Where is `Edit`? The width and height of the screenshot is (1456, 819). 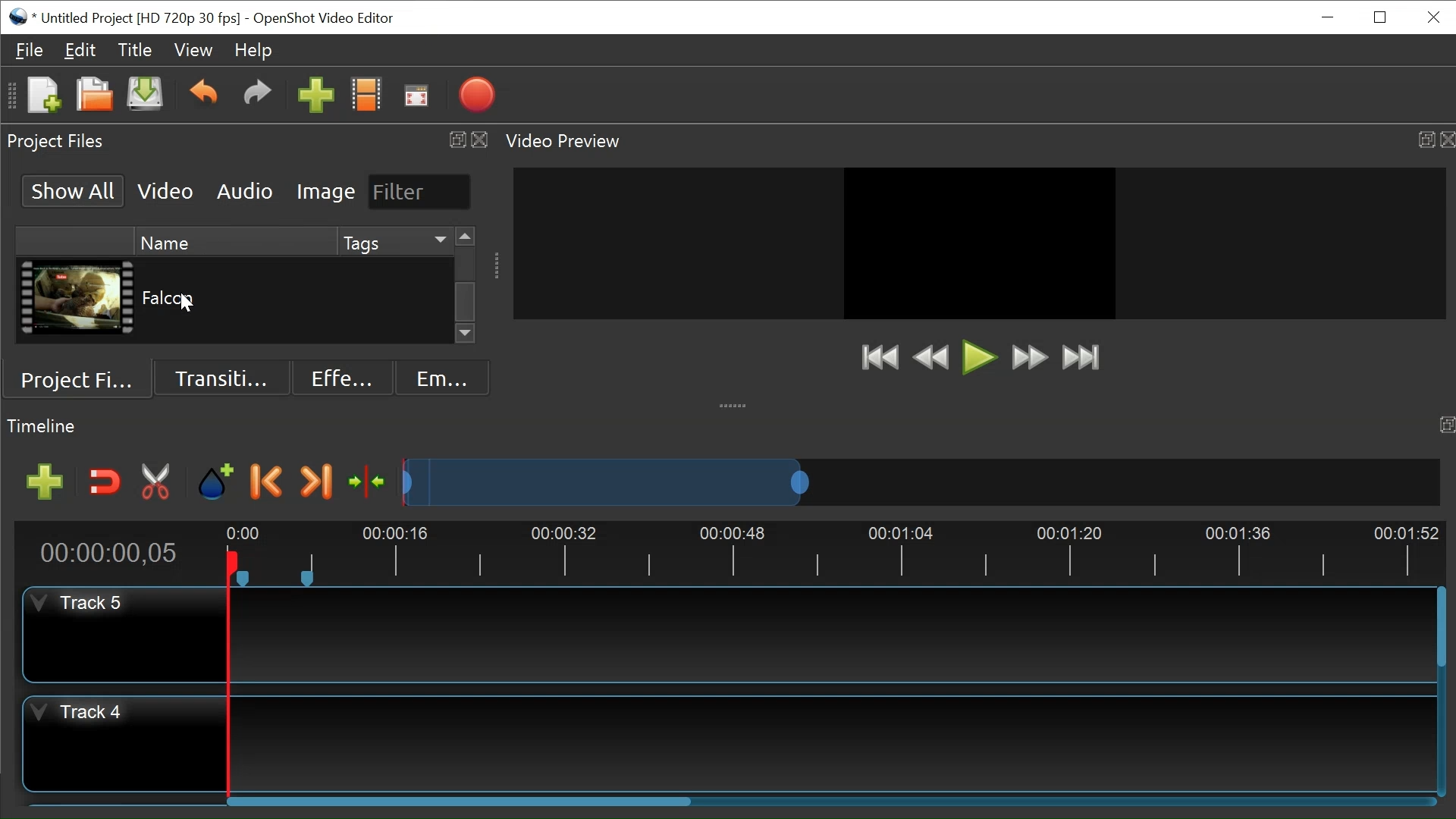
Edit is located at coordinates (81, 52).